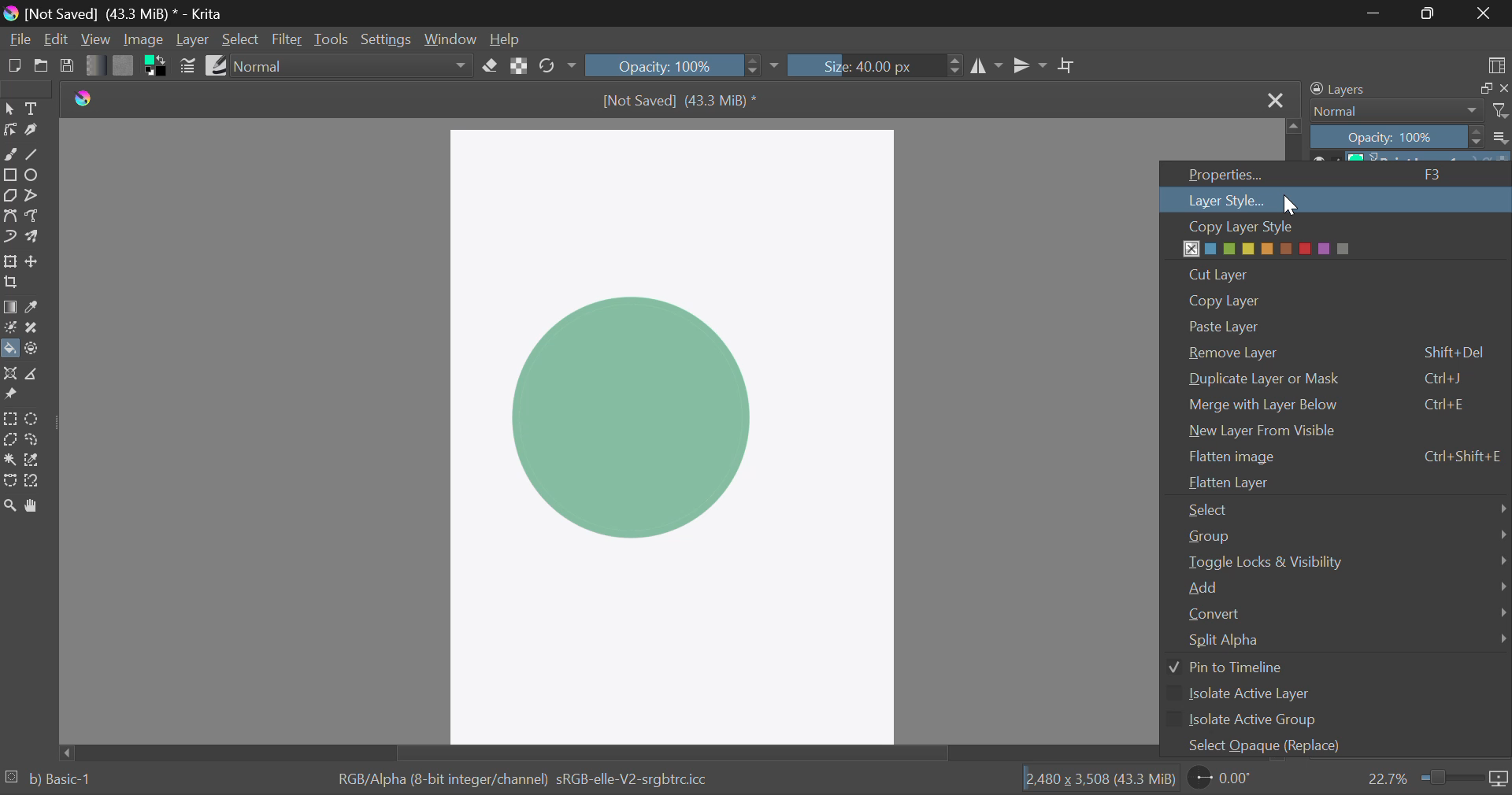 The height and width of the screenshot is (795, 1512). What do you see at coordinates (1332, 431) in the screenshot?
I see `New Layer from Visible` at bounding box center [1332, 431].